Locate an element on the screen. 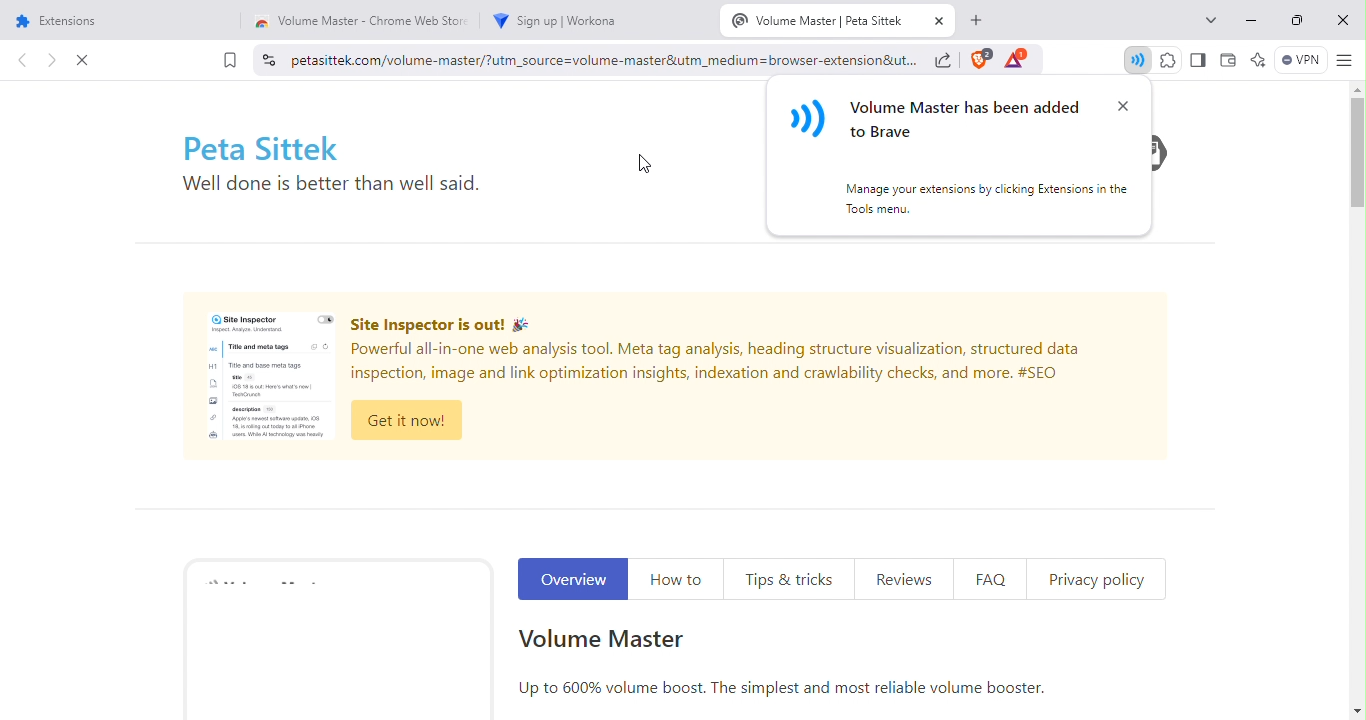 This screenshot has width=1366, height=720. extensions is located at coordinates (121, 21).